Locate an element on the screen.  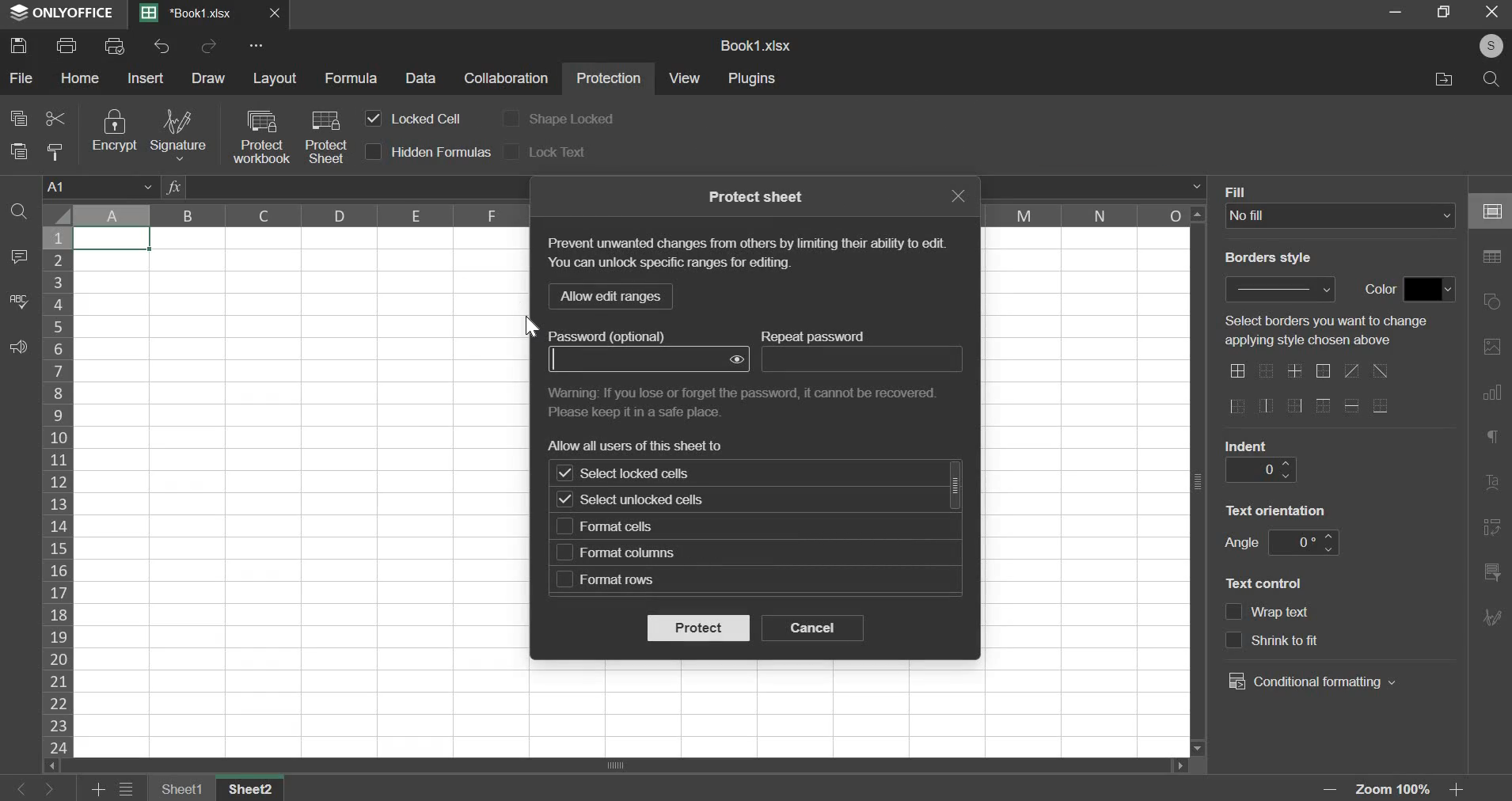
column is located at coordinates (295, 214).